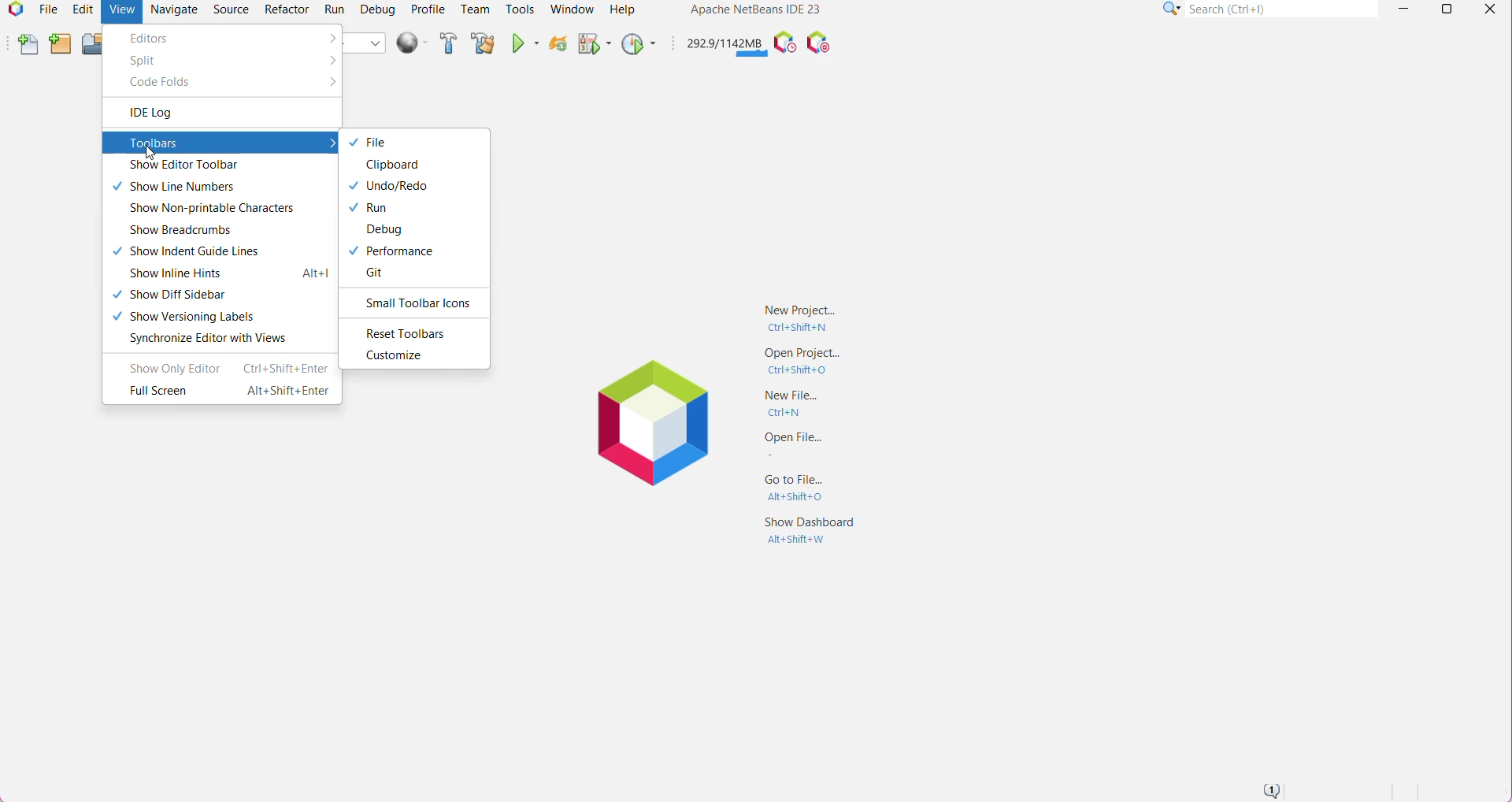 Image resolution: width=1512 pixels, height=802 pixels. I want to click on New File, so click(800, 404).